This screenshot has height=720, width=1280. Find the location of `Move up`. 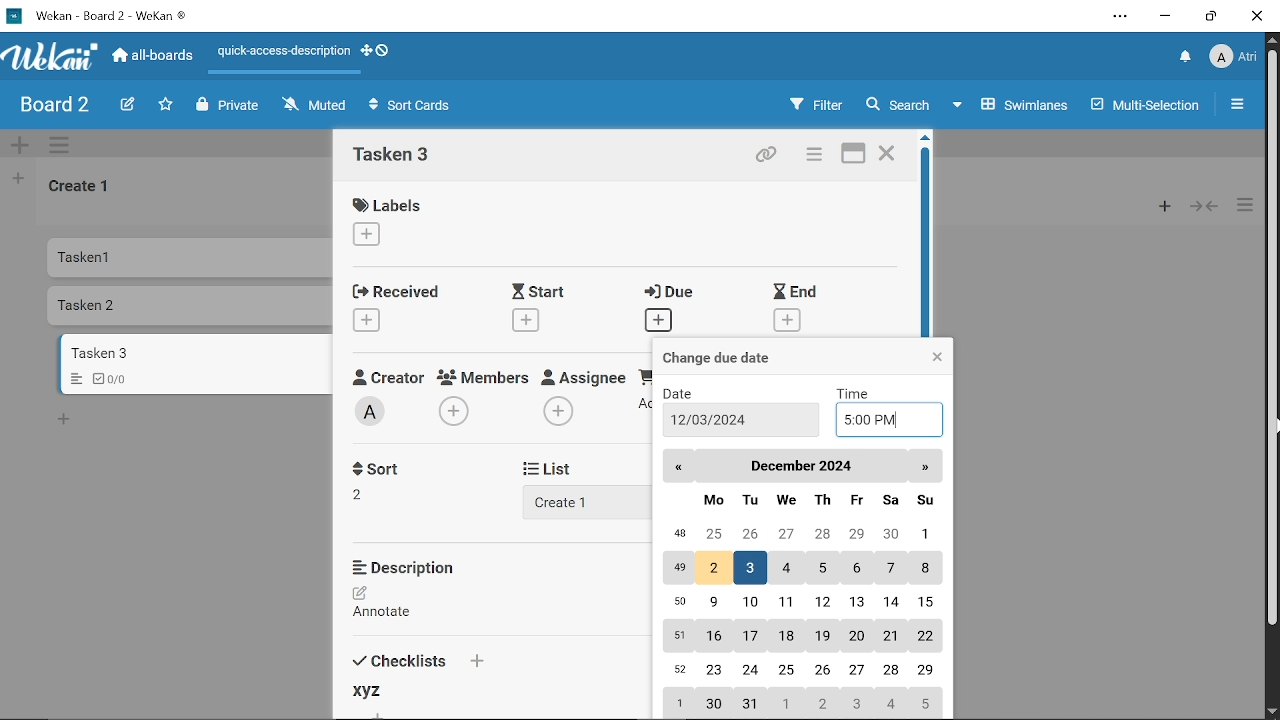

Move up is located at coordinates (1272, 40).